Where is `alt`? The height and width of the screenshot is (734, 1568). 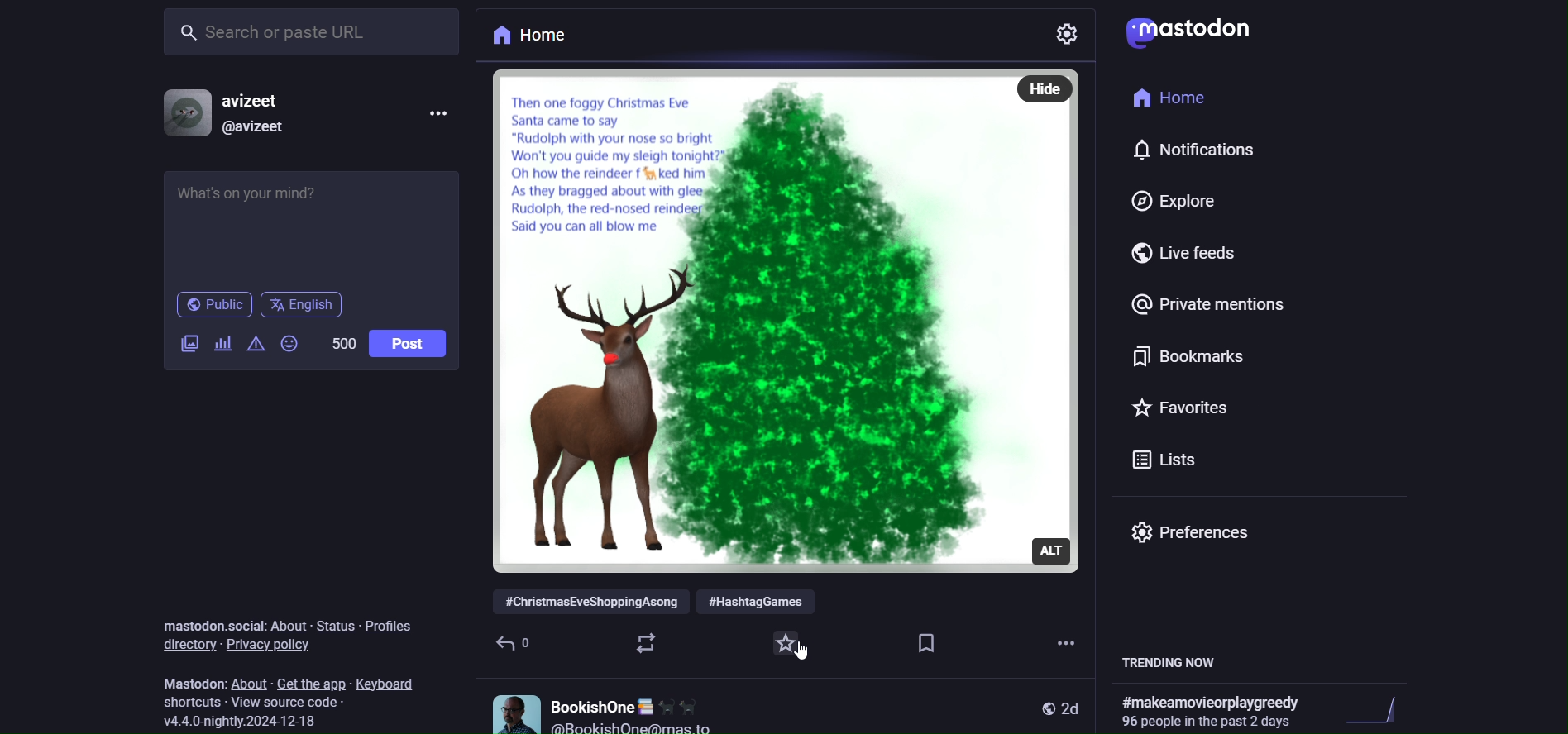
alt is located at coordinates (1053, 546).